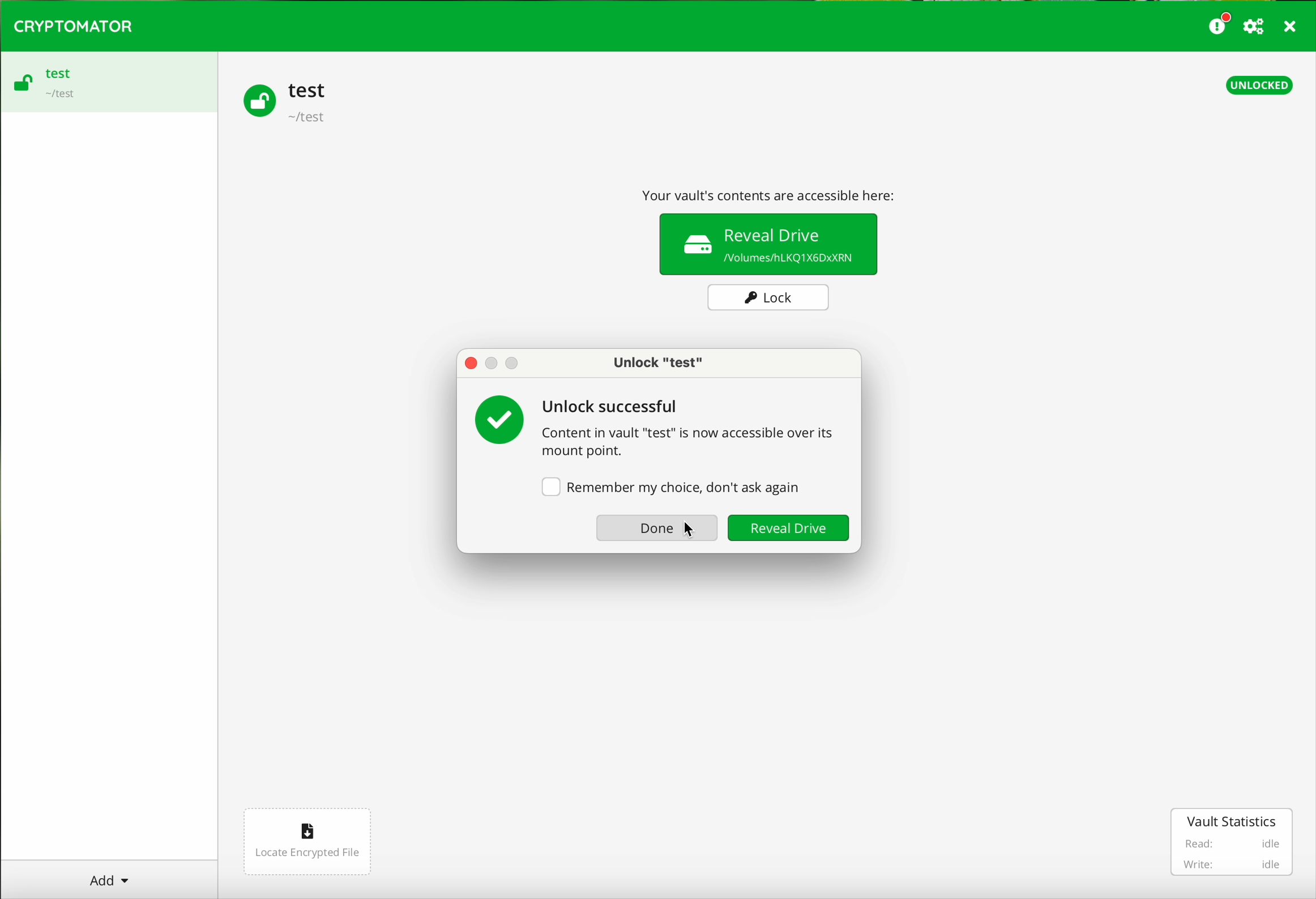 Image resolution: width=1316 pixels, height=899 pixels. What do you see at coordinates (22, 85) in the screenshot?
I see `open padlock` at bounding box center [22, 85].